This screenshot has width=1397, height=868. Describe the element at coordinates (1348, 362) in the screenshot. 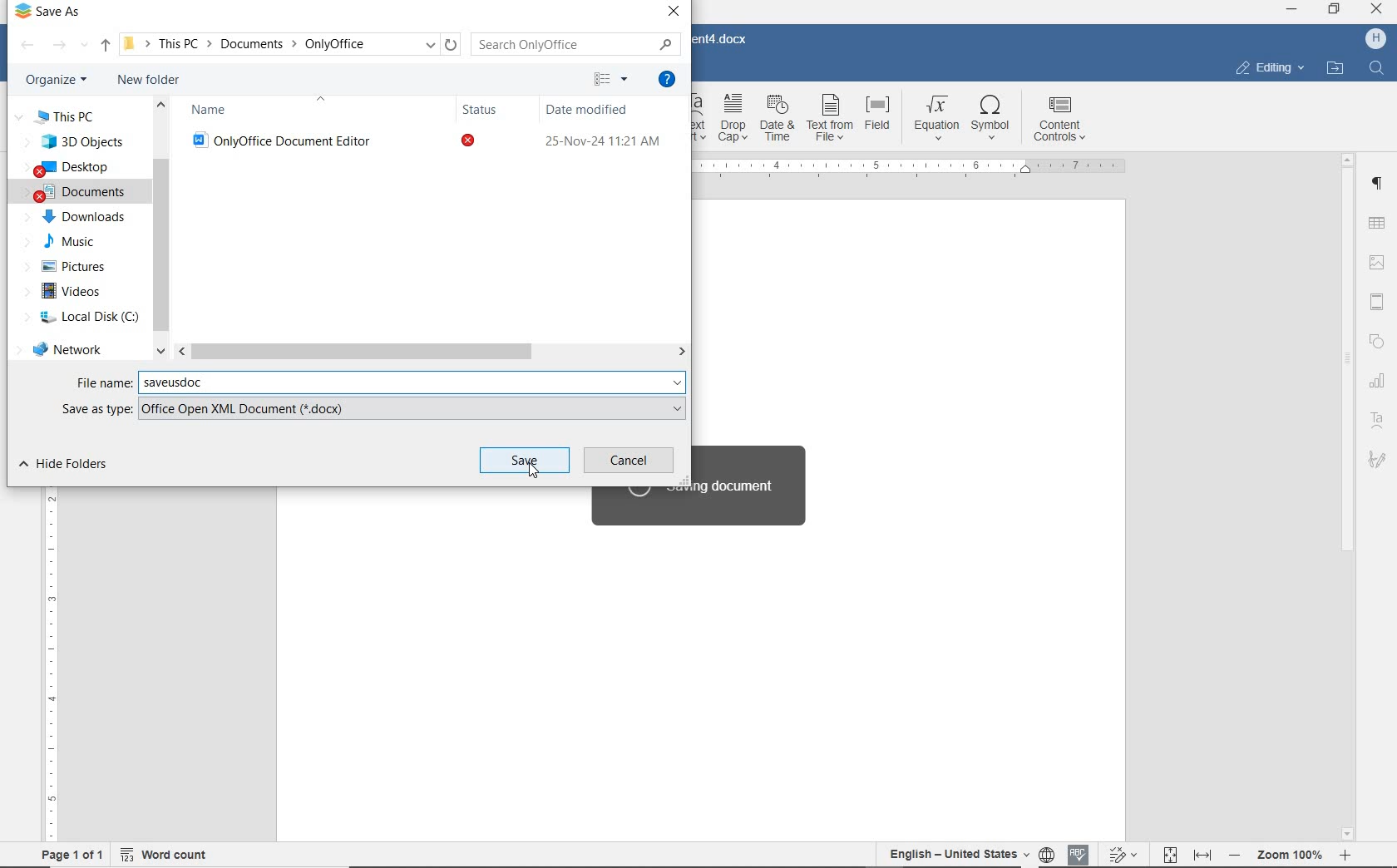

I see `srollbar` at that location.